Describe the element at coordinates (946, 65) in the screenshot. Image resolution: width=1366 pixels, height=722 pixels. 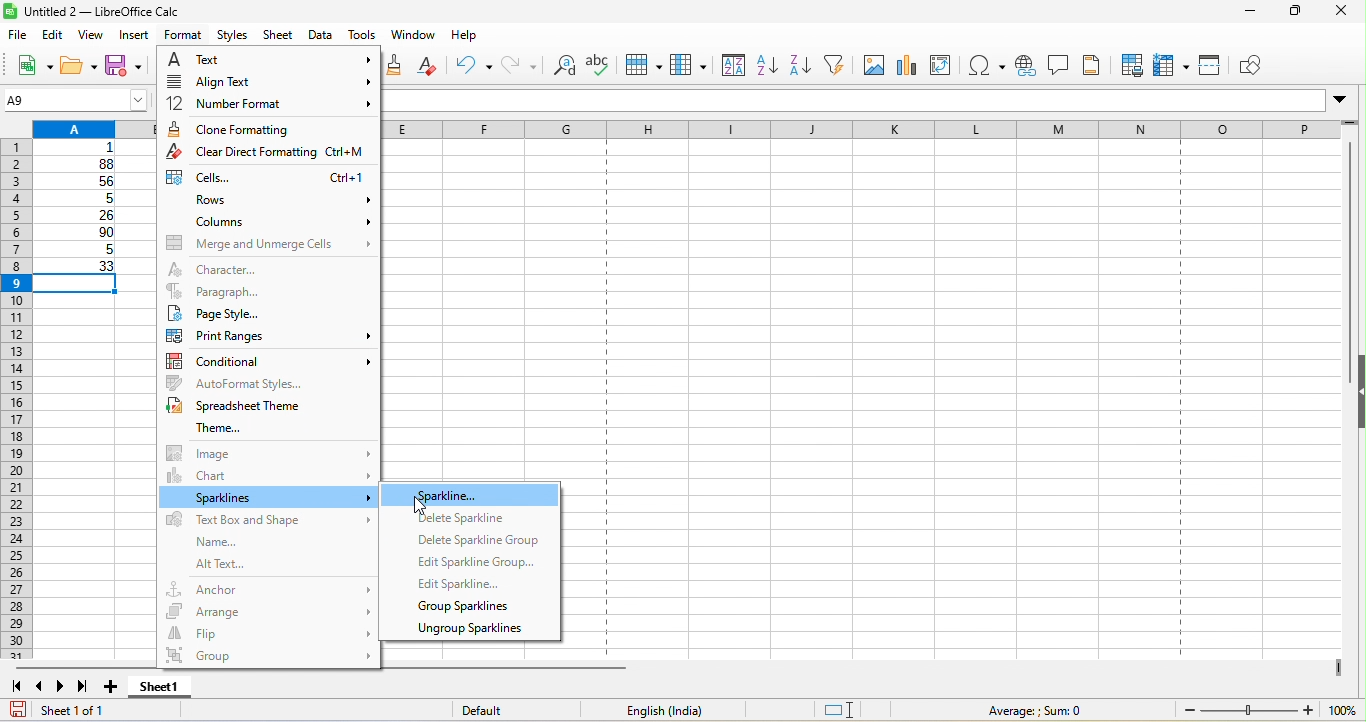
I see `edit pivot table` at that location.